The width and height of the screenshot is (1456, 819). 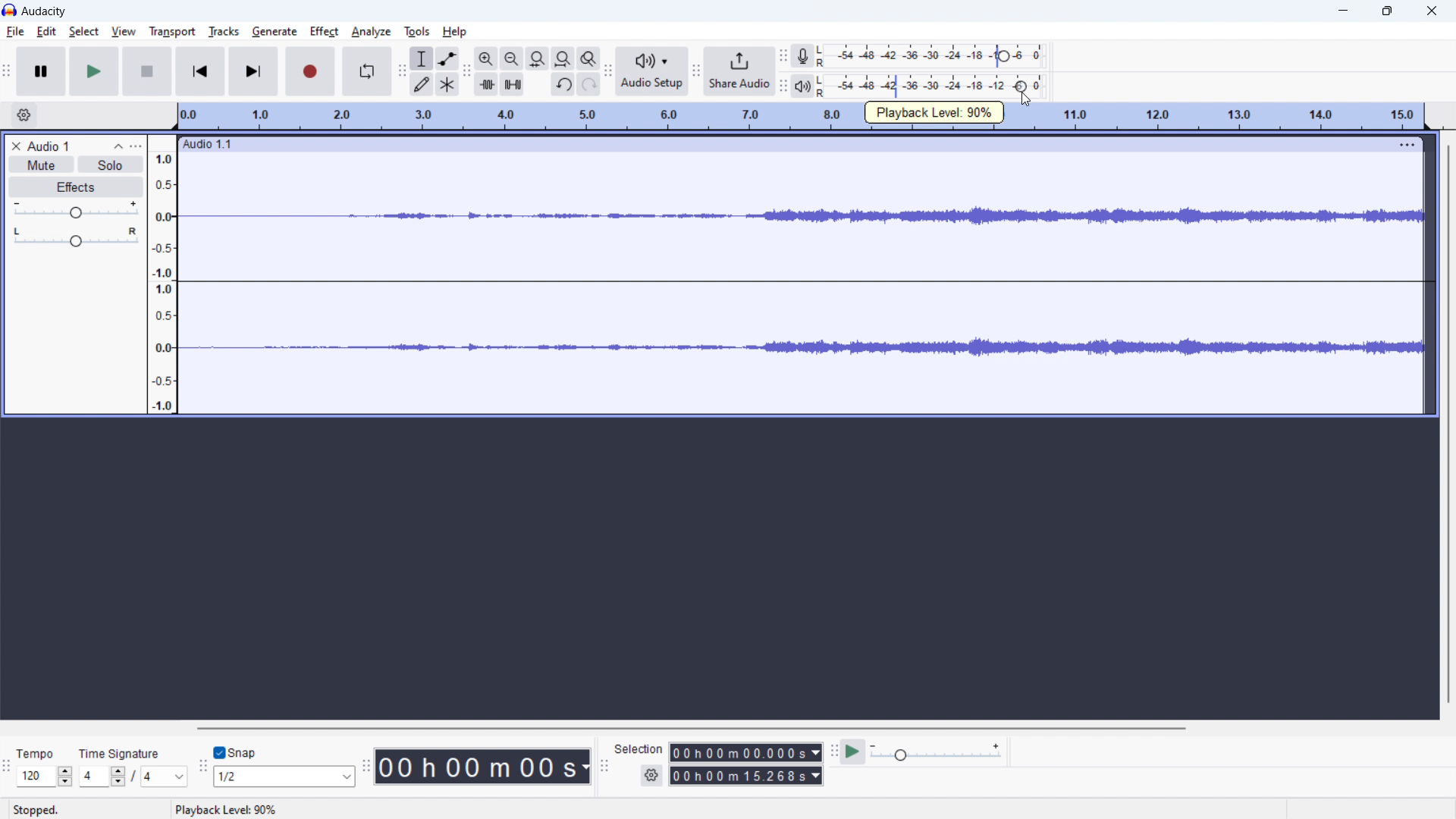 I want to click on time, so click(x=483, y=767).